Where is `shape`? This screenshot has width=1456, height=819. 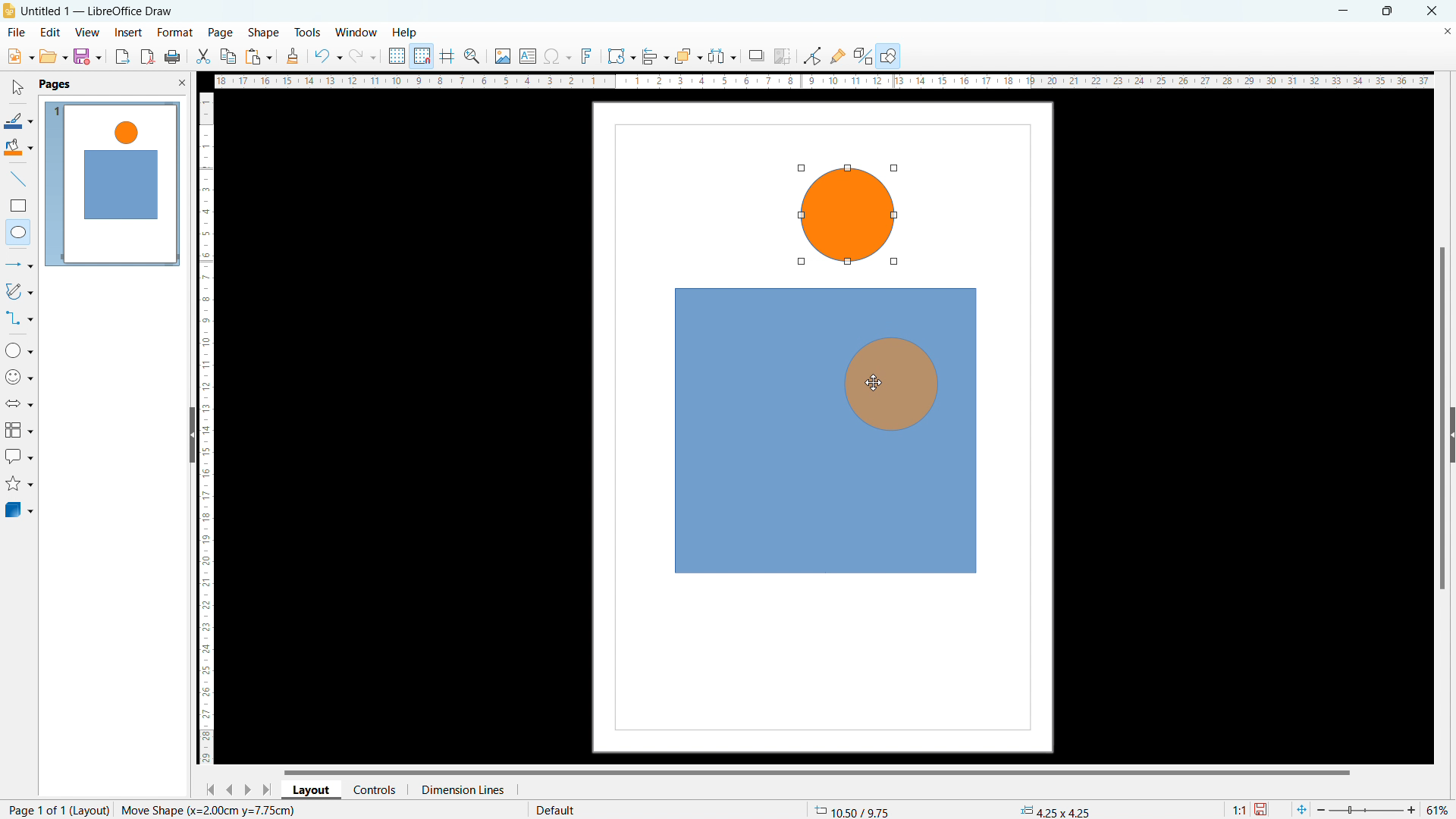
shape is located at coordinates (264, 33).